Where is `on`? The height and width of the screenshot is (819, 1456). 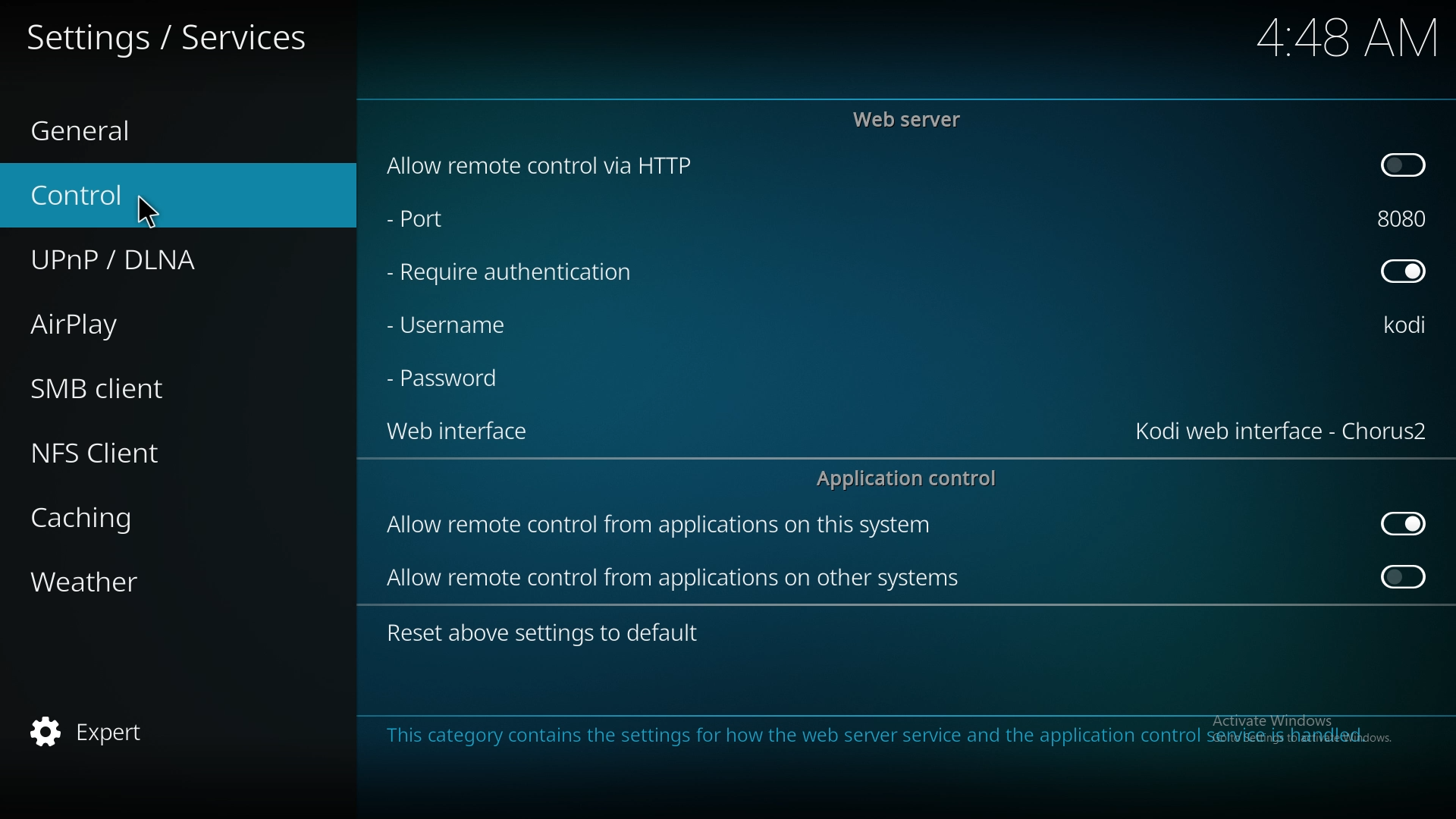
on is located at coordinates (1404, 580).